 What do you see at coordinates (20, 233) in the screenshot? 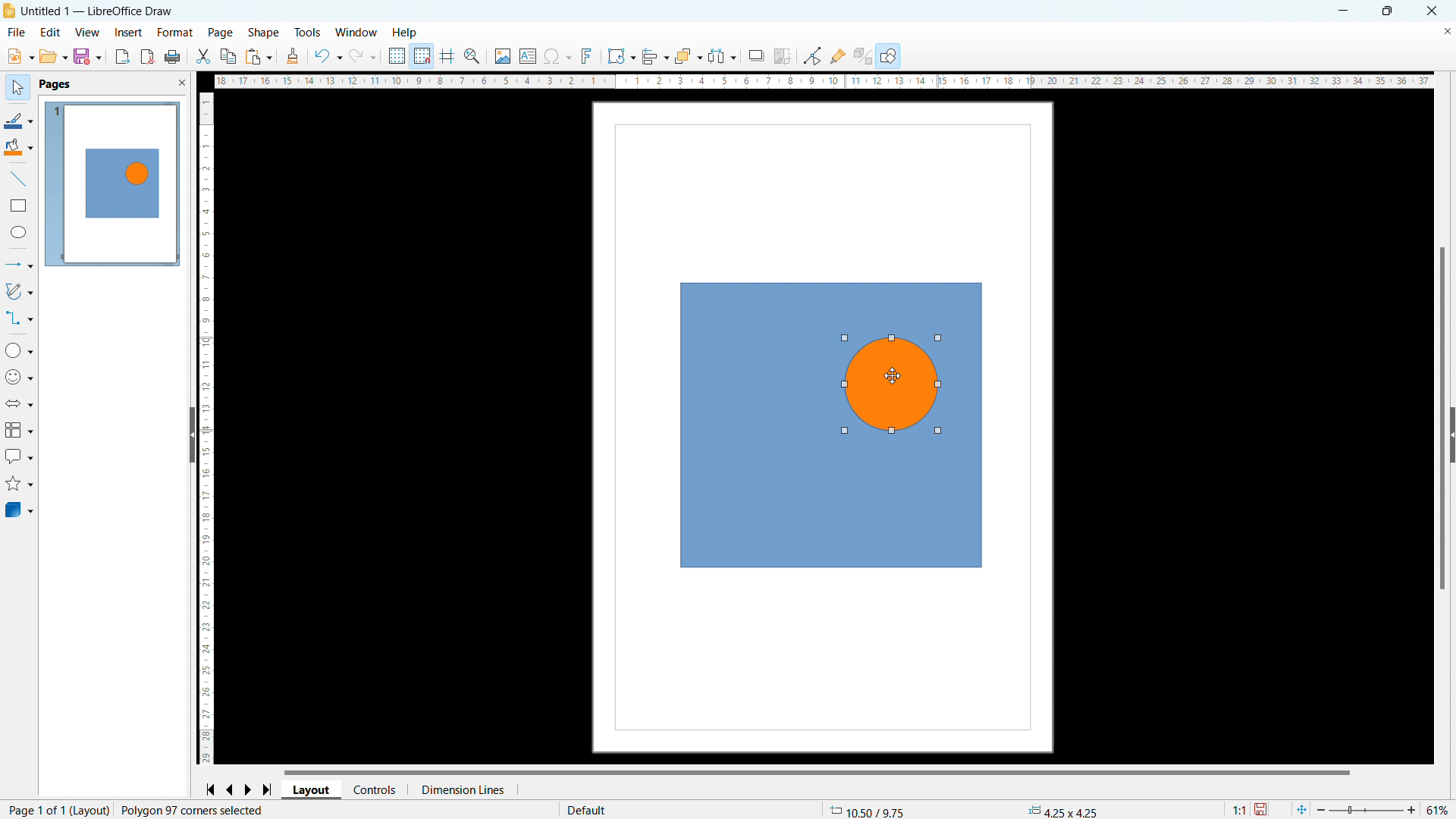
I see `ellipse tool` at bounding box center [20, 233].